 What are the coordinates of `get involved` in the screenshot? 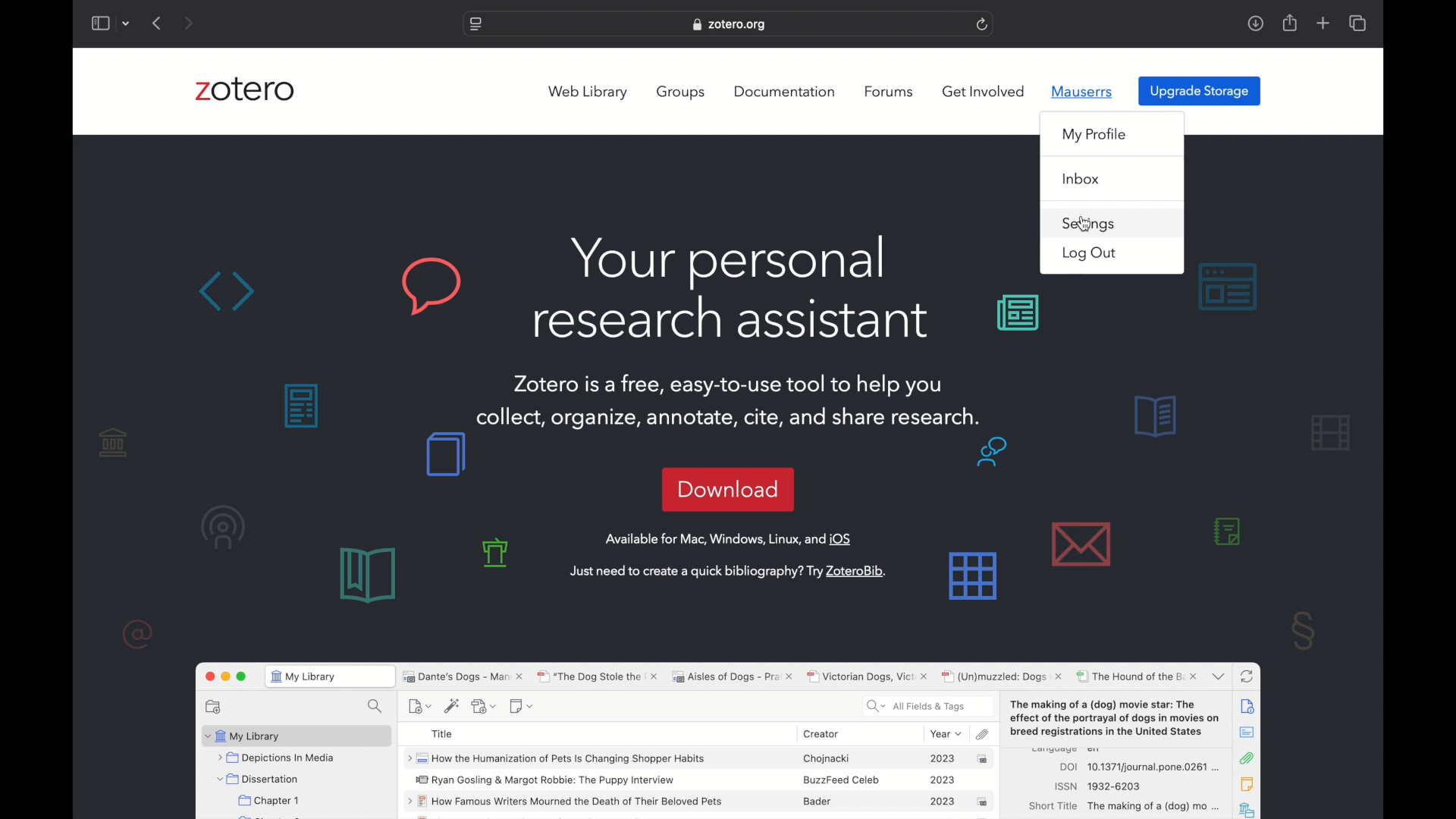 It's located at (984, 91).